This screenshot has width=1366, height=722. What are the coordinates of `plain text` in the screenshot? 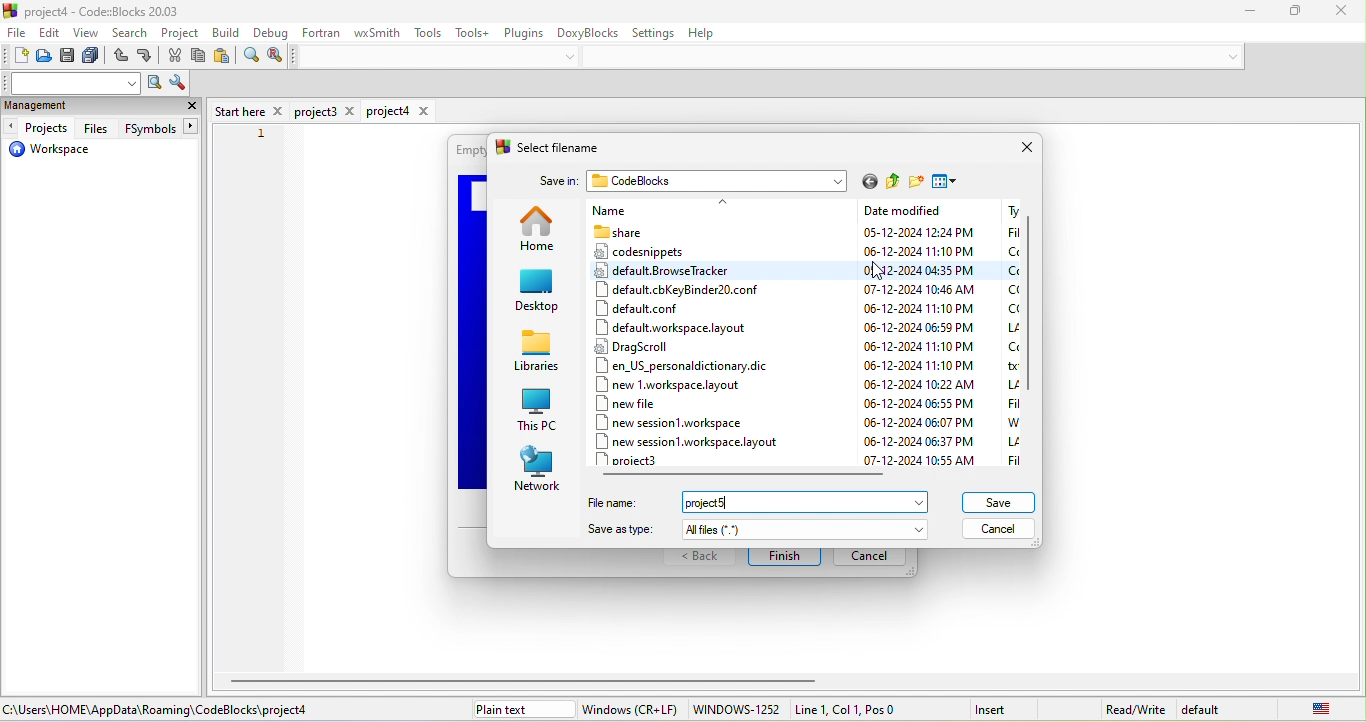 It's located at (521, 709).